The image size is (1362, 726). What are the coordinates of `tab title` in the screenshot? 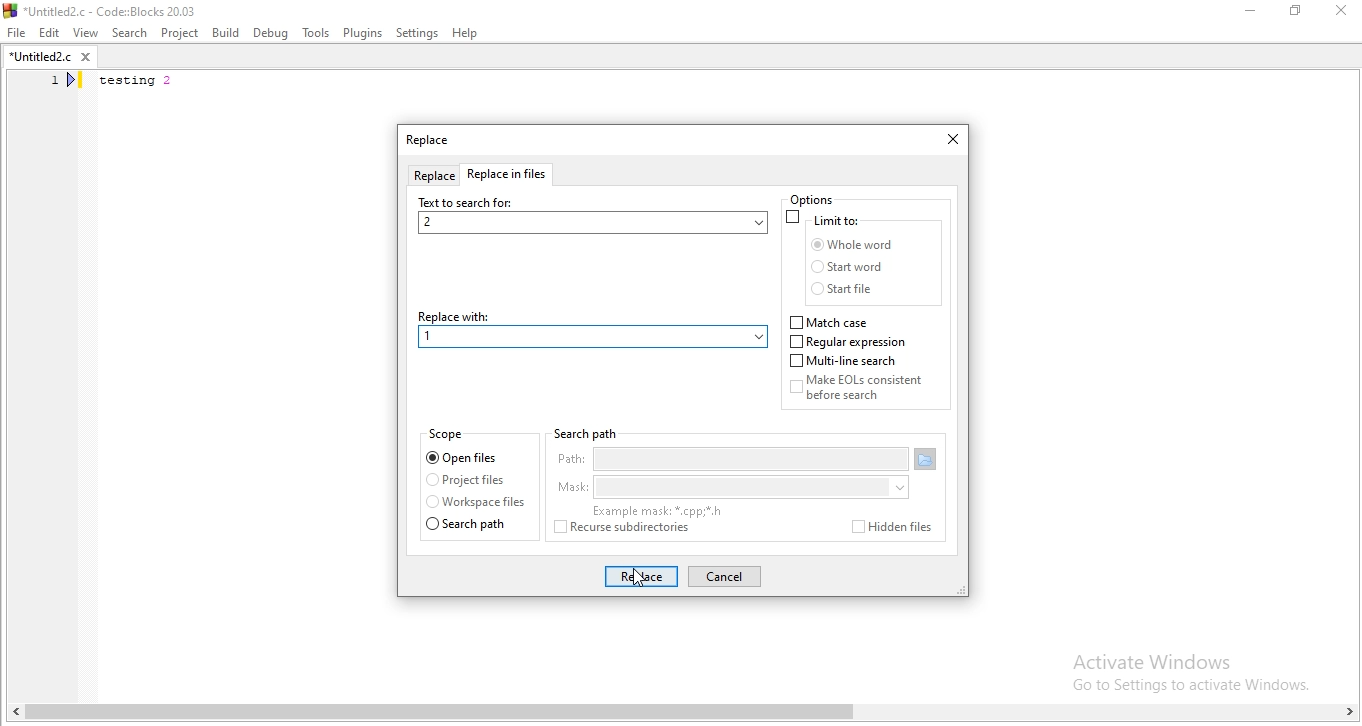 It's located at (428, 142).